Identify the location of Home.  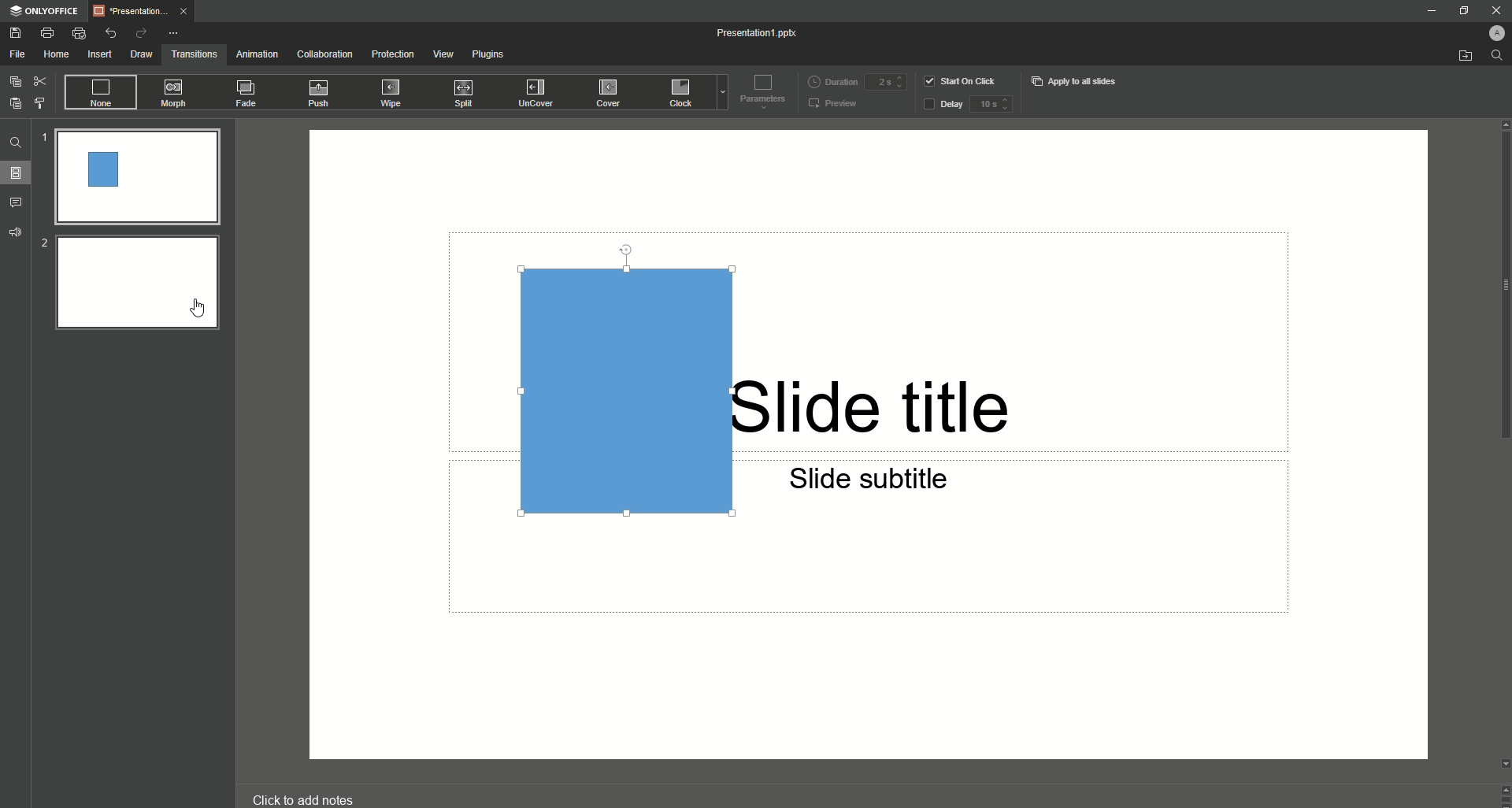
(54, 54).